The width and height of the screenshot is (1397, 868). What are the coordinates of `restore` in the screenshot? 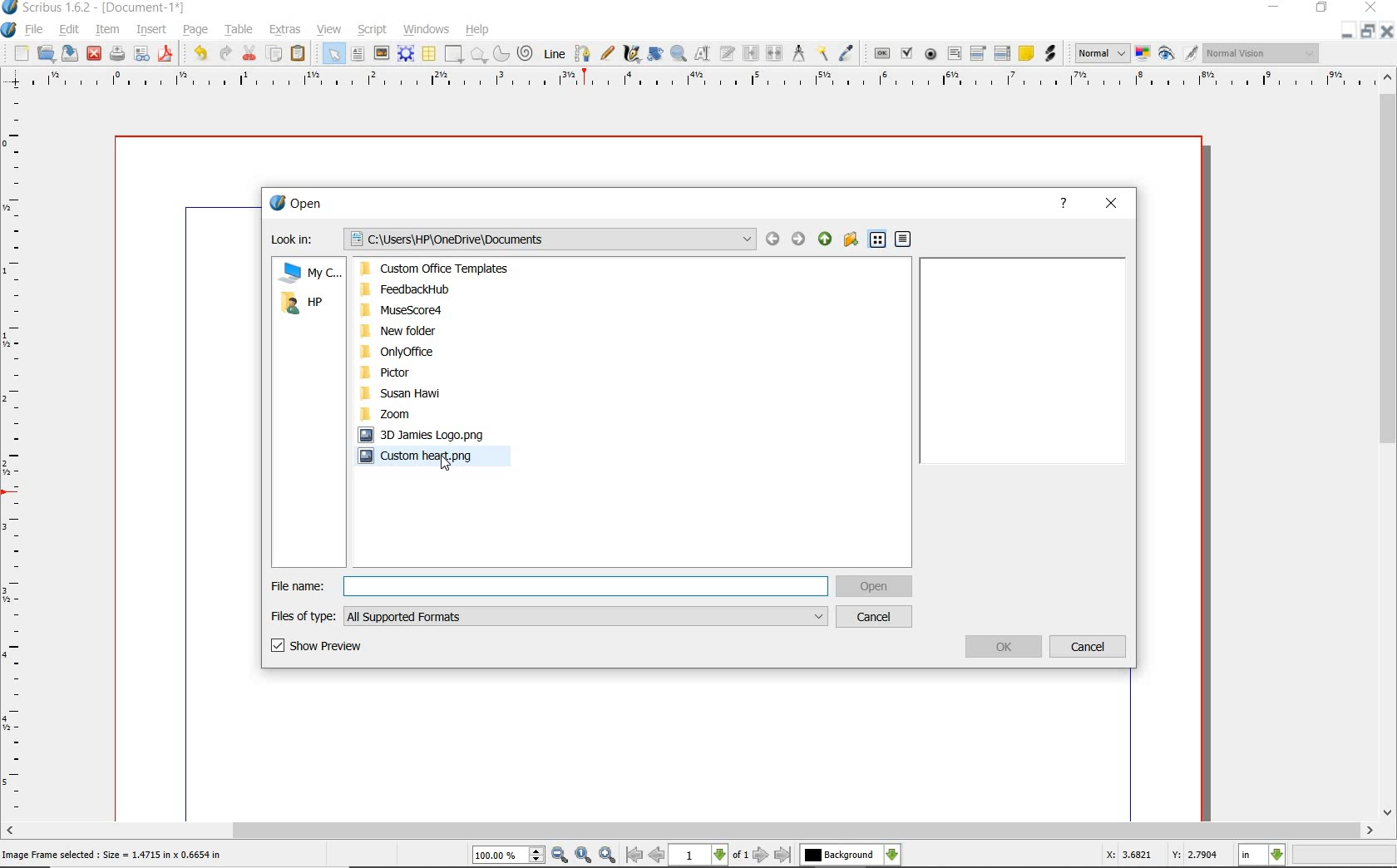 It's located at (1366, 32).